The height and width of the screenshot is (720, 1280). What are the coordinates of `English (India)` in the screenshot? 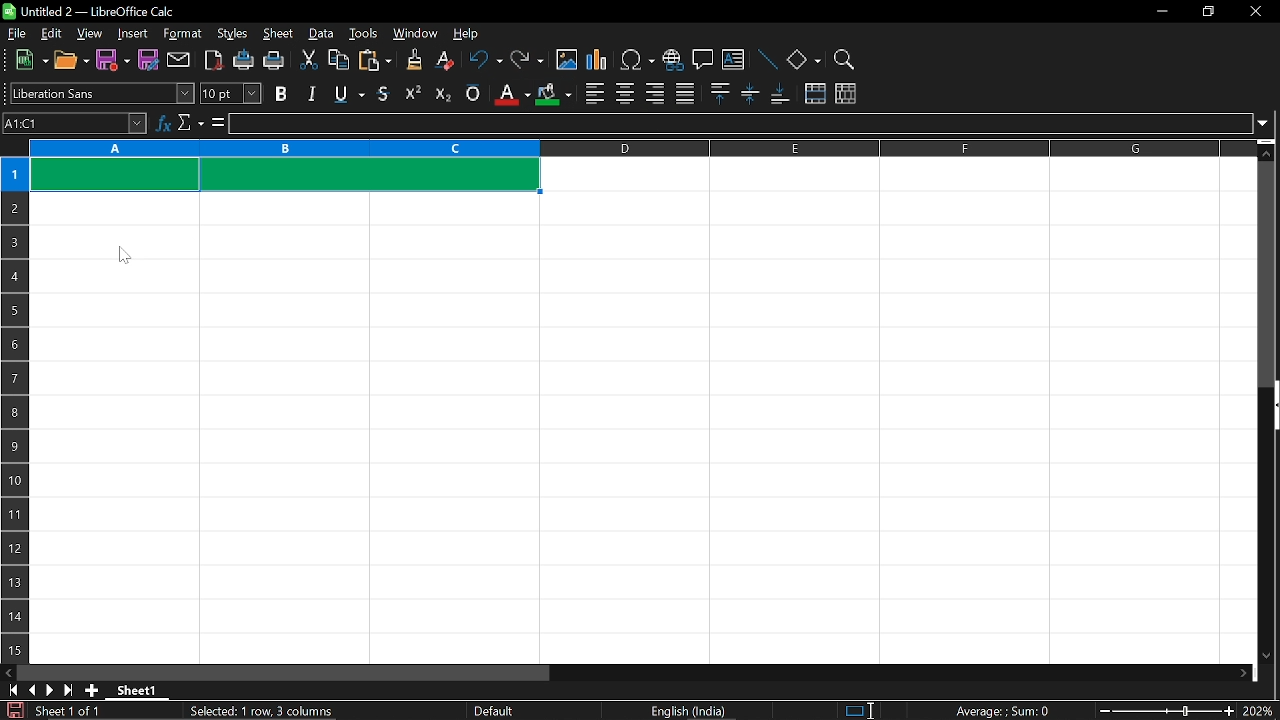 It's located at (690, 711).